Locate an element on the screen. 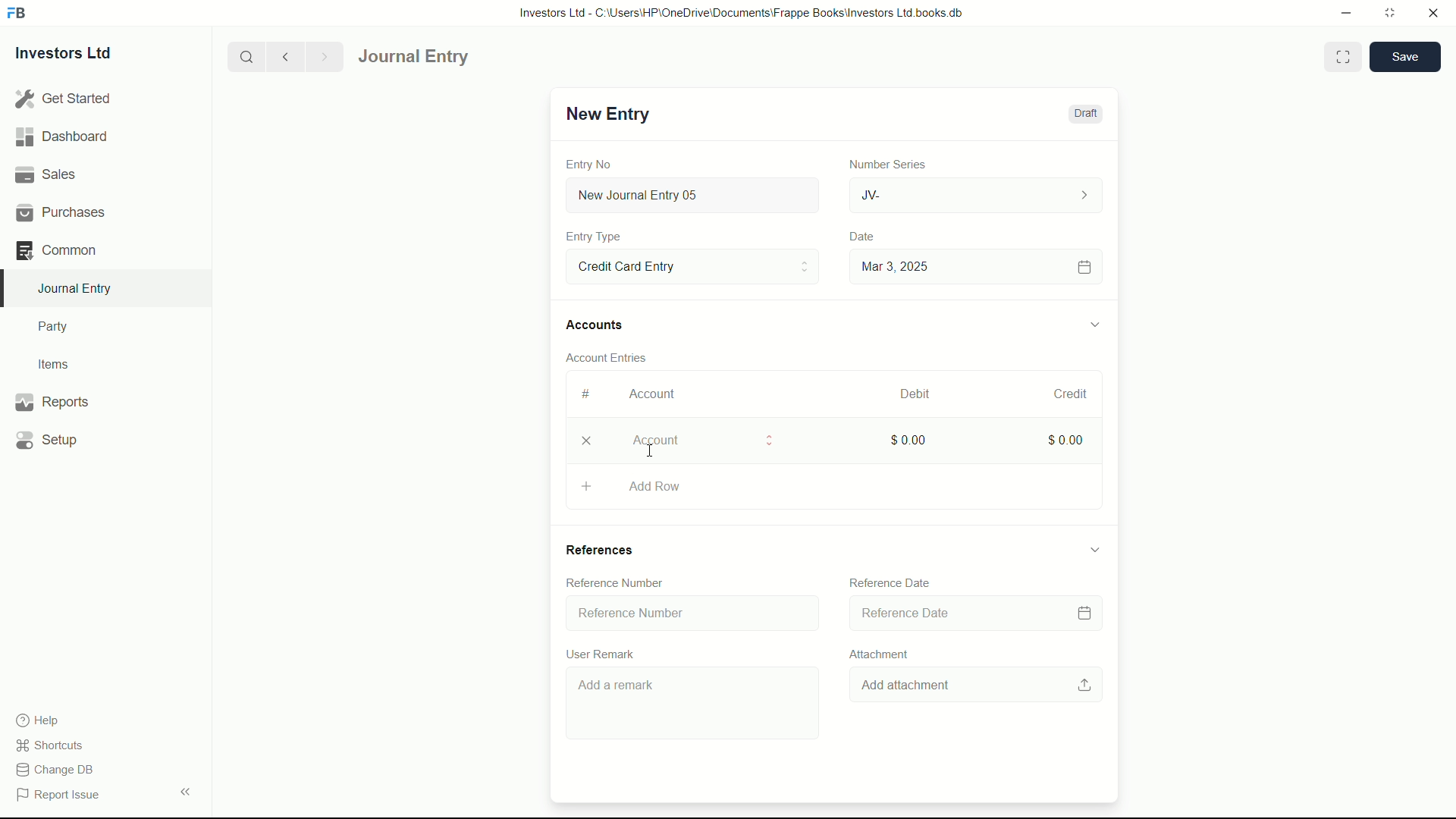  Accounts is located at coordinates (598, 325).